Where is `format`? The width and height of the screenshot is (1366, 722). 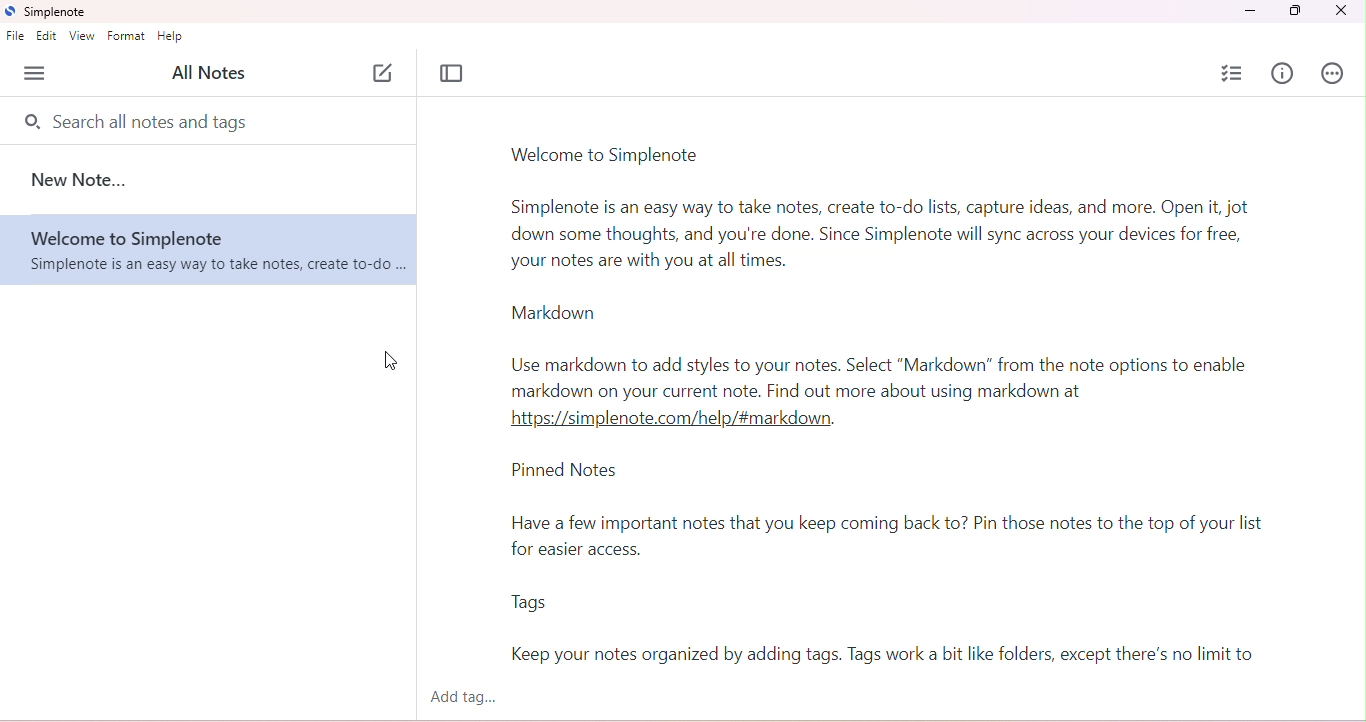
format is located at coordinates (126, 36).